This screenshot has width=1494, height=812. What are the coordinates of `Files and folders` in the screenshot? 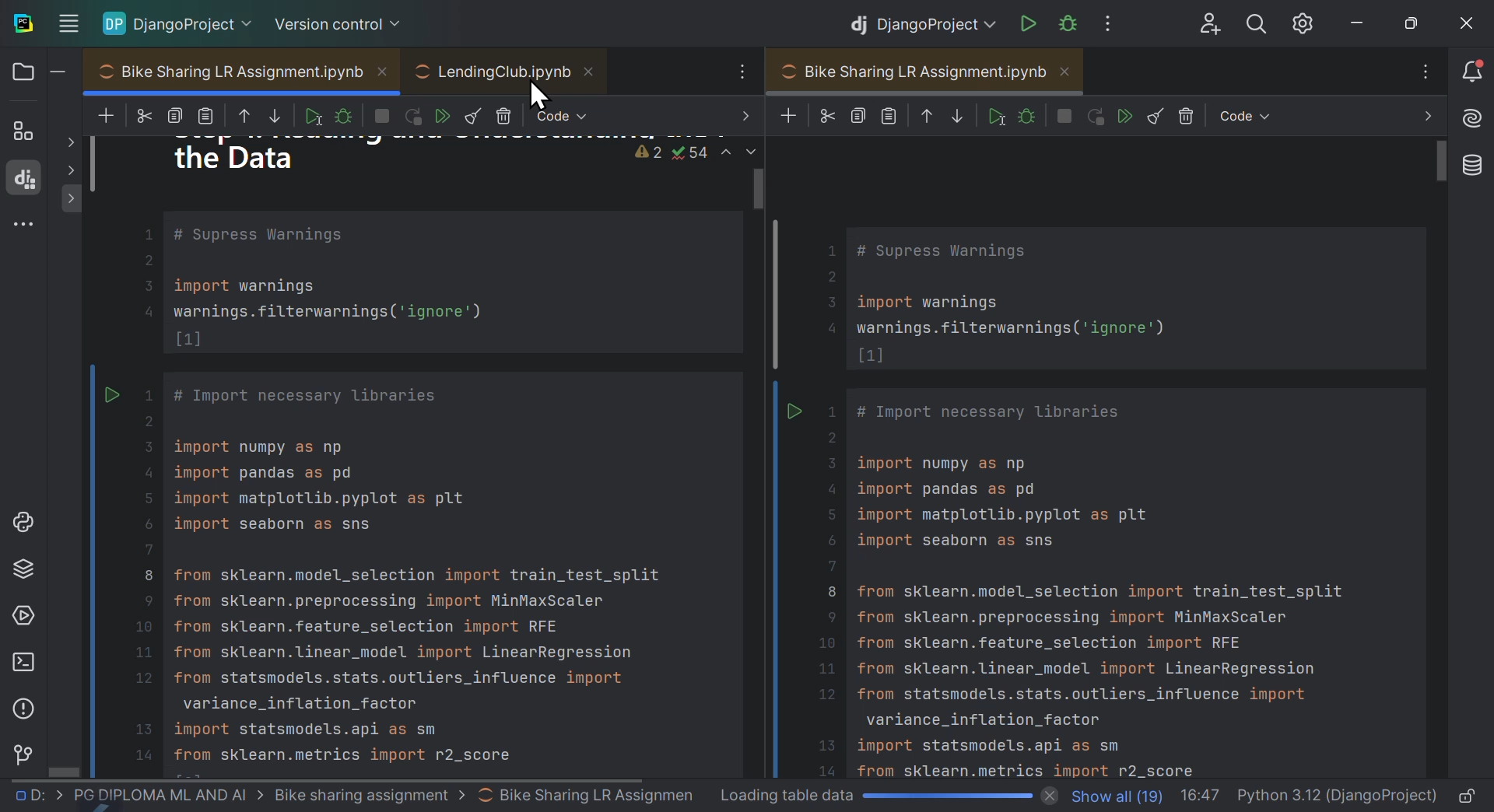 It's located at (38, 72).